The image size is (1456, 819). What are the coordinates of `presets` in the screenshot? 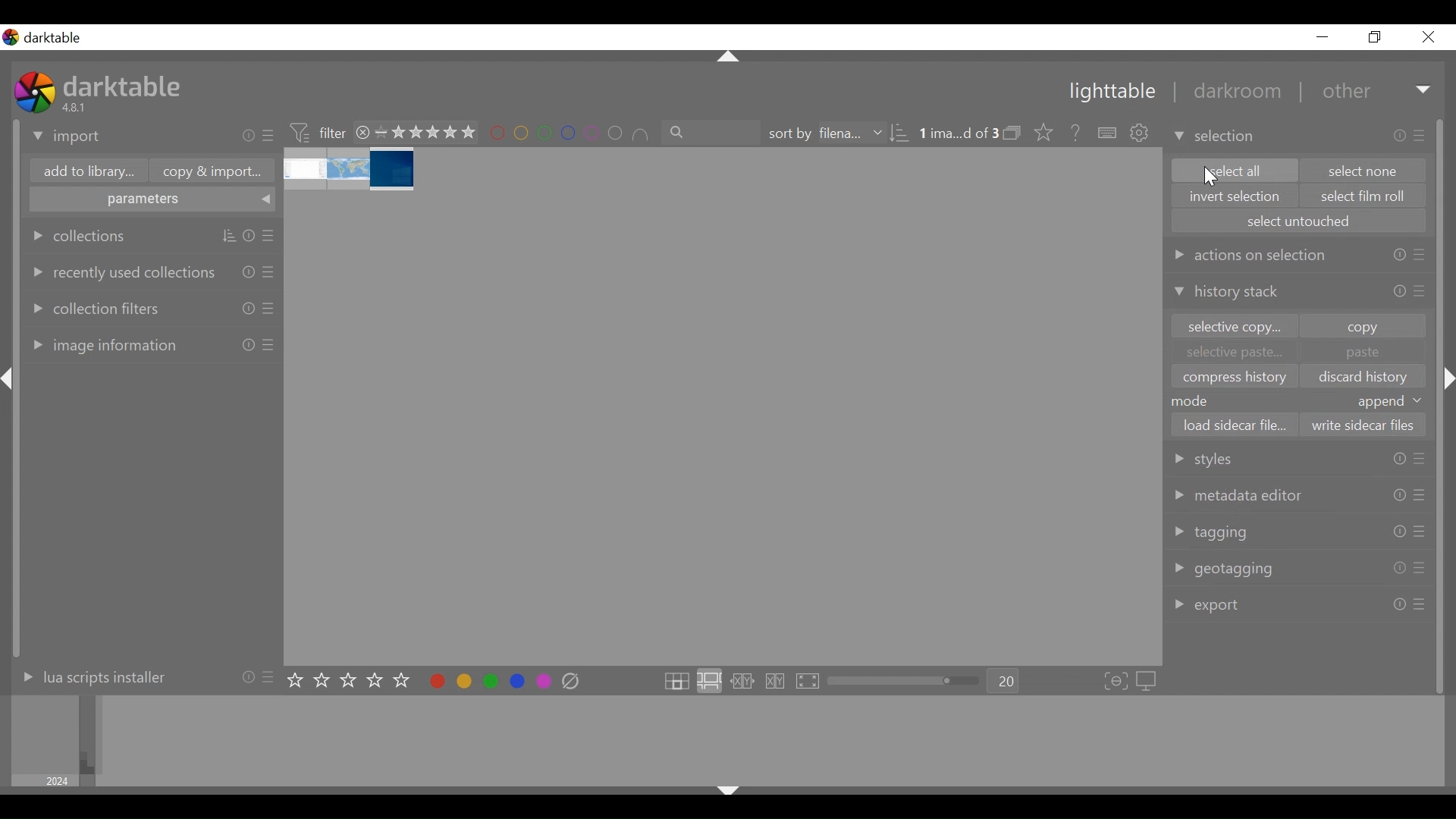 It's located at (1419, 569).